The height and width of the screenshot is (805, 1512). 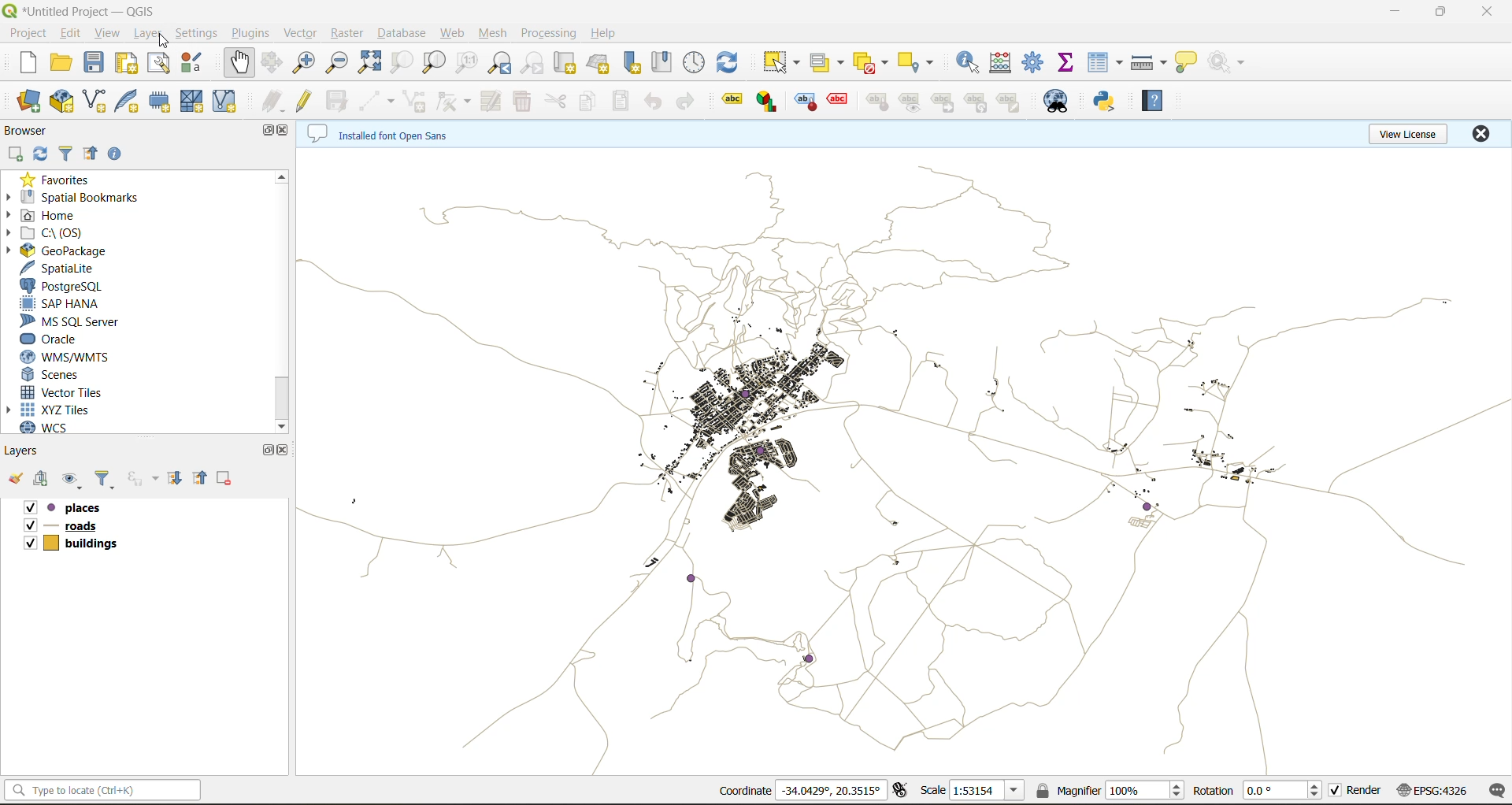 I want to click on toggle extents, so click(x=901, y=791).